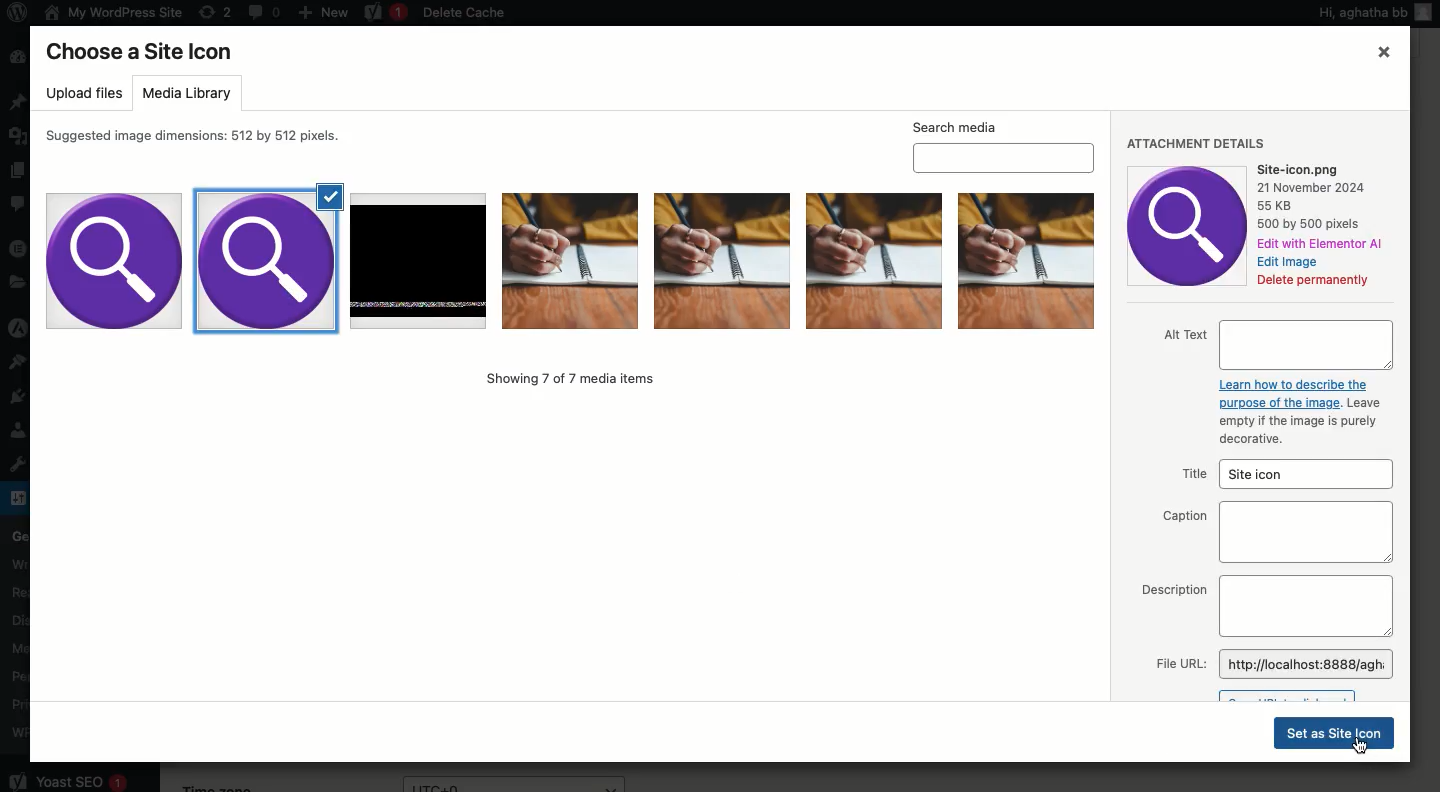 This screenshot has width=1440, height=792. I want to click on Showing 7 of 7 media items, so click(570, 377).